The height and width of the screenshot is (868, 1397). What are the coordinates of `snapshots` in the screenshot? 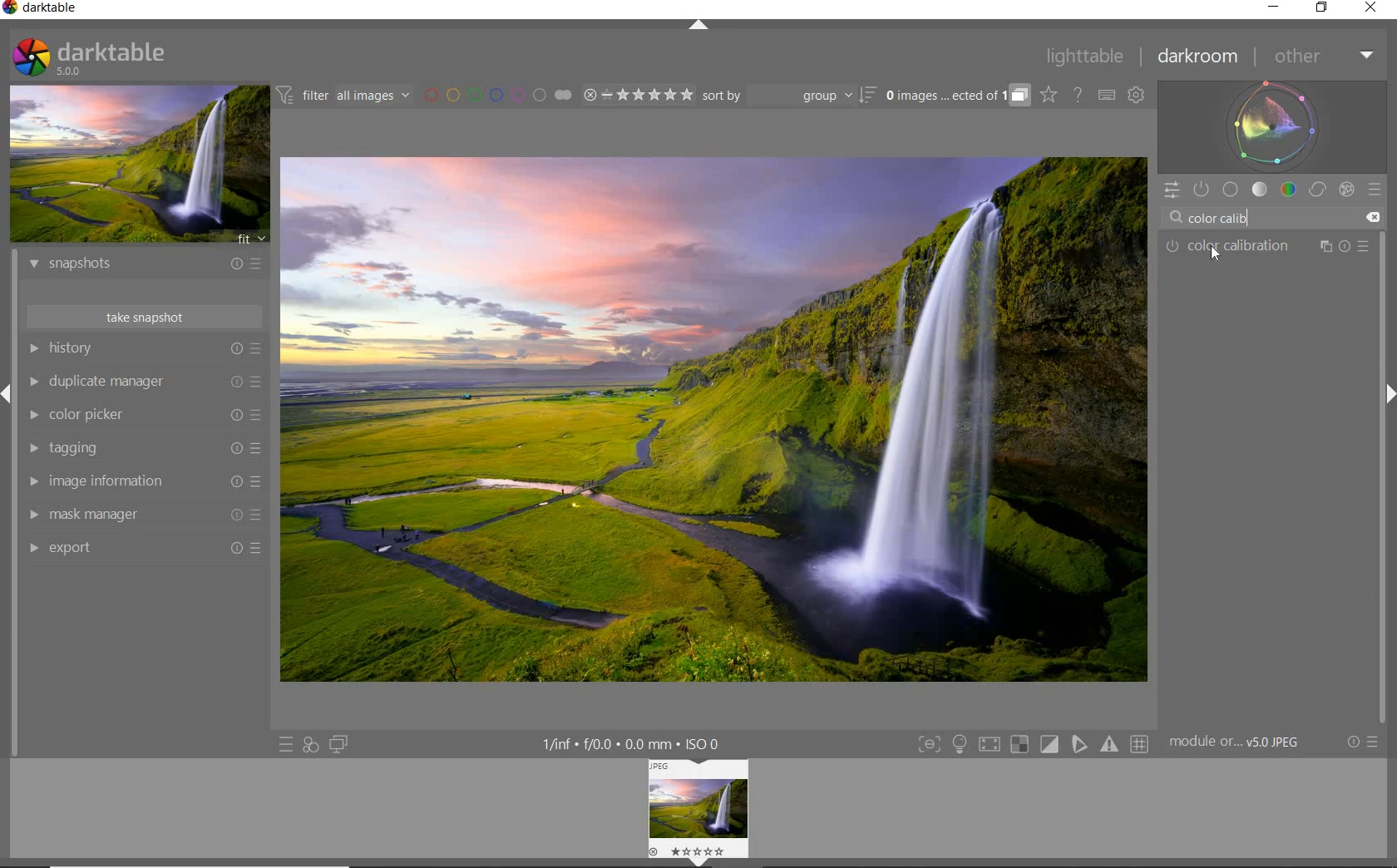 It's located at (149, 266).